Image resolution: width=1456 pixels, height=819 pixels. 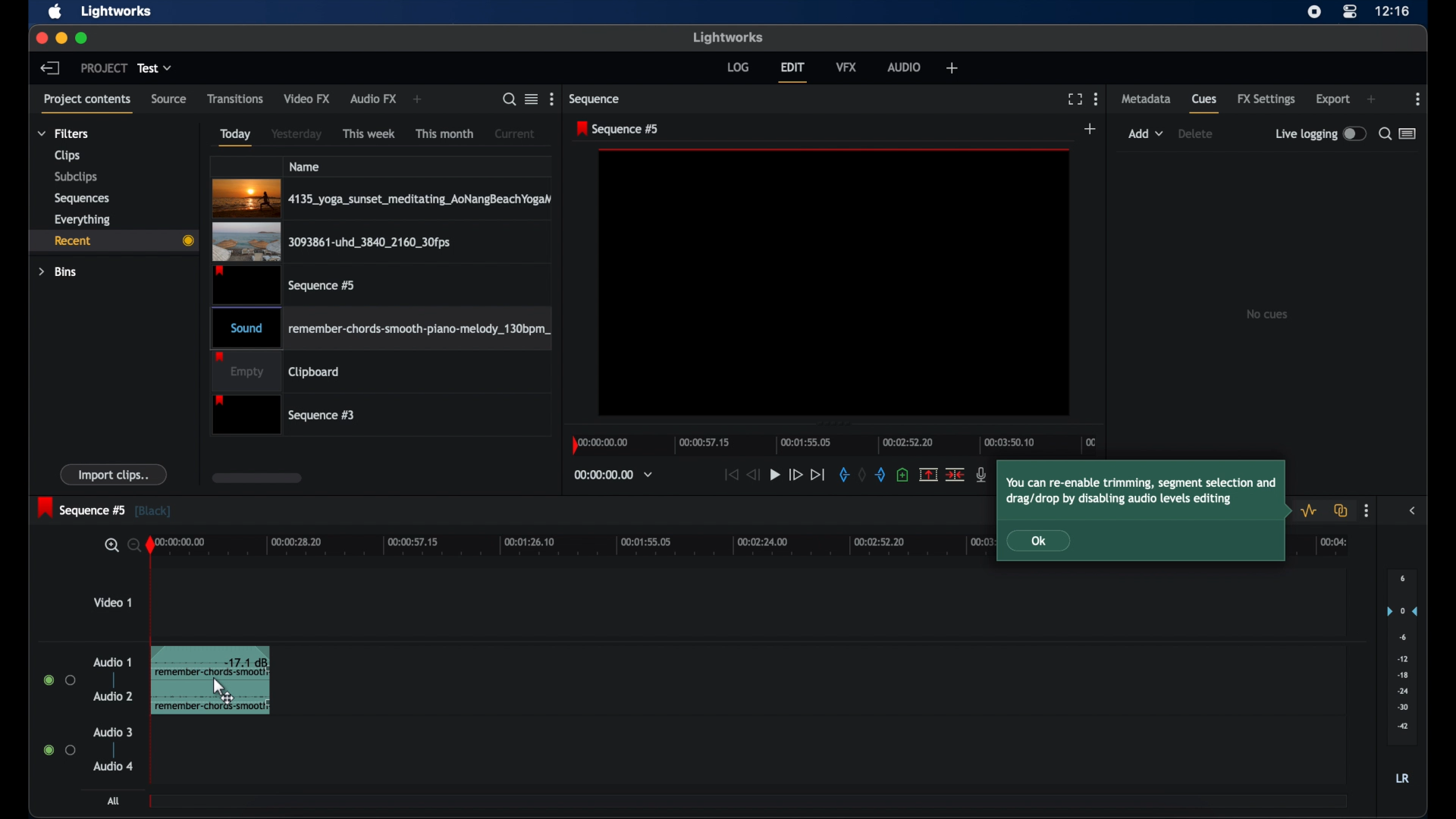 I want to click on more options, so click(x=1366, y=511).